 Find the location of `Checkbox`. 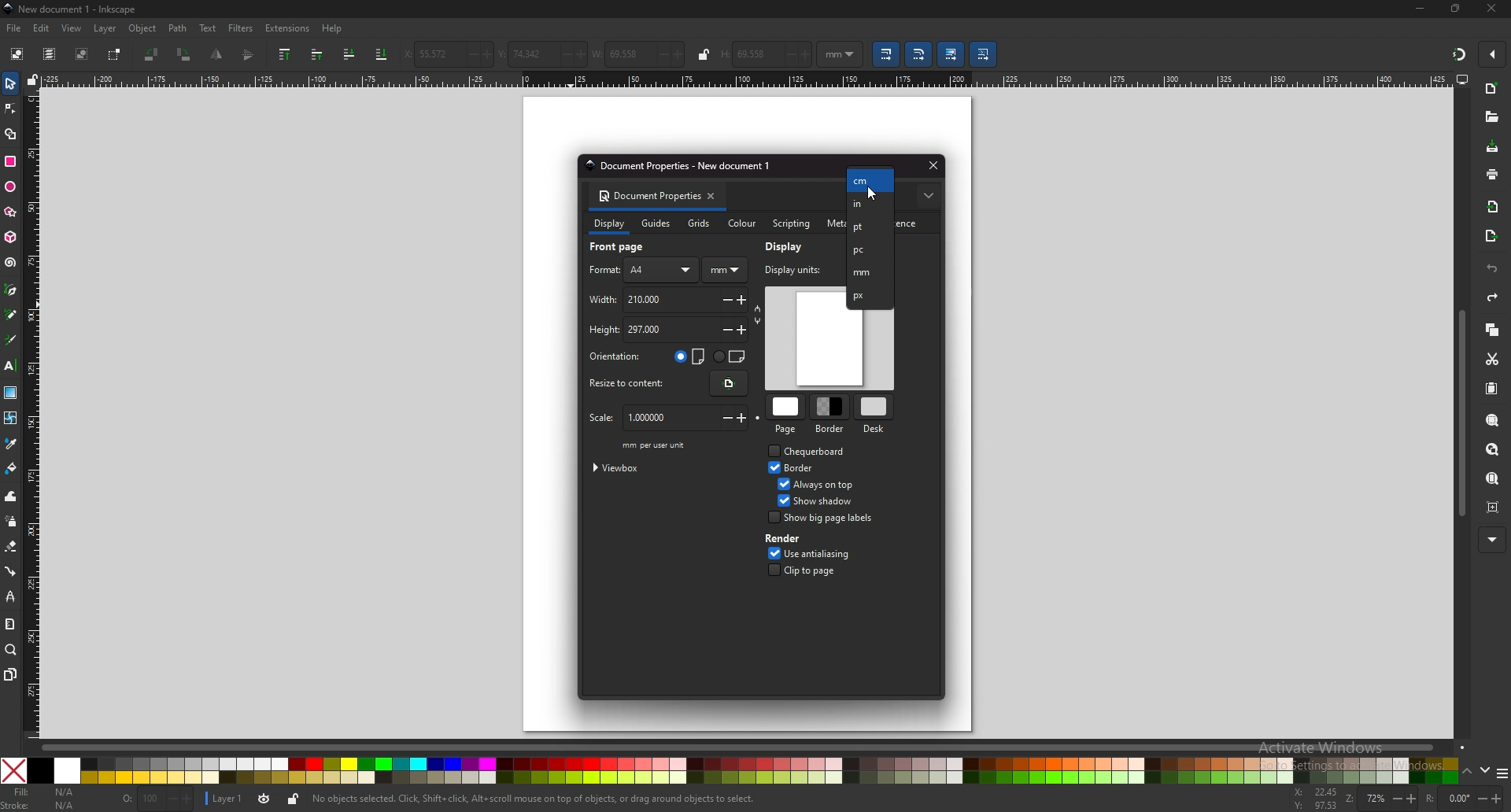

Checkbox is located at coordinates (770, 467).